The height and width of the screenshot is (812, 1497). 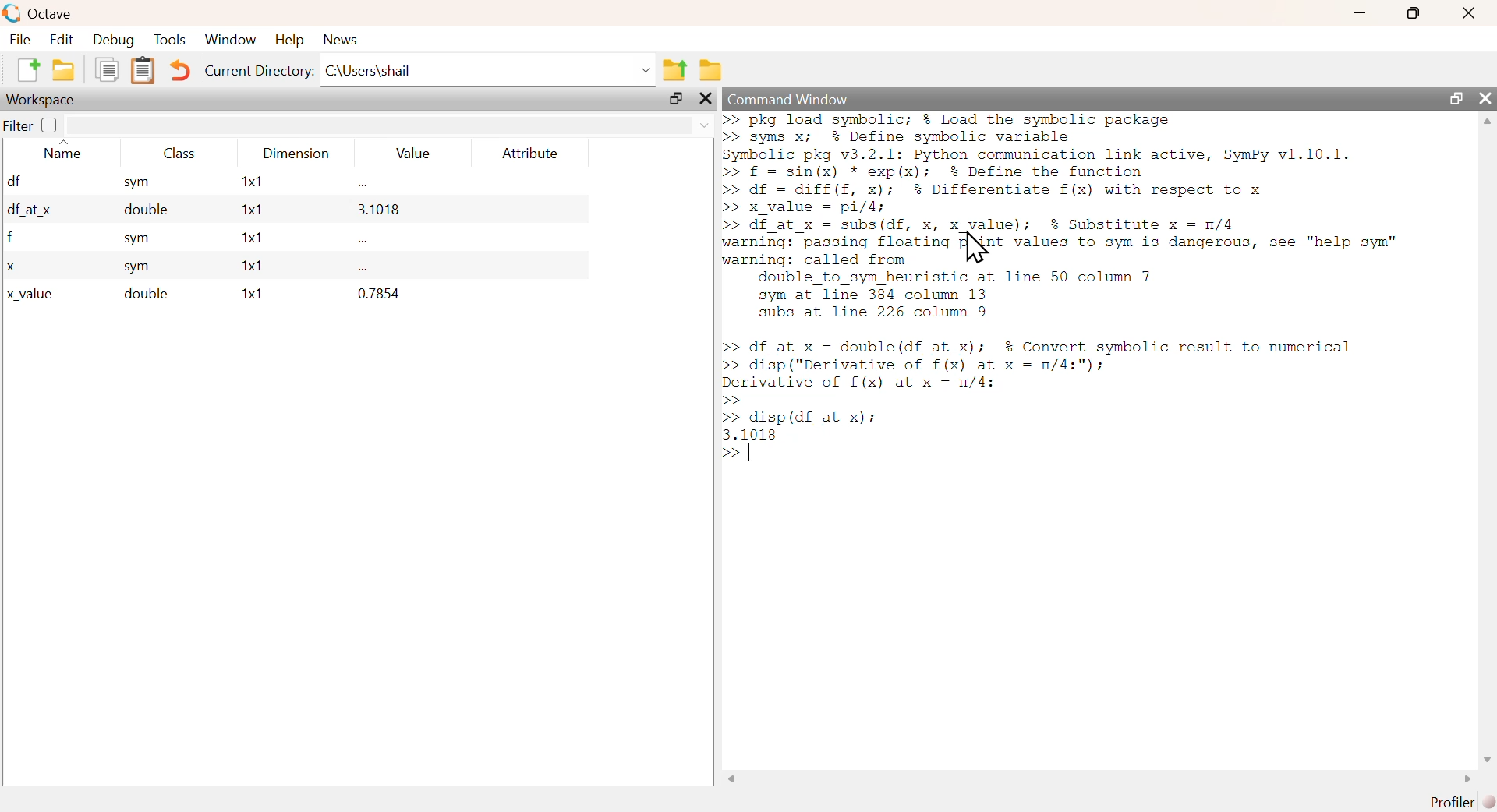 I want to click on x_value, so click(x=31, y=295).